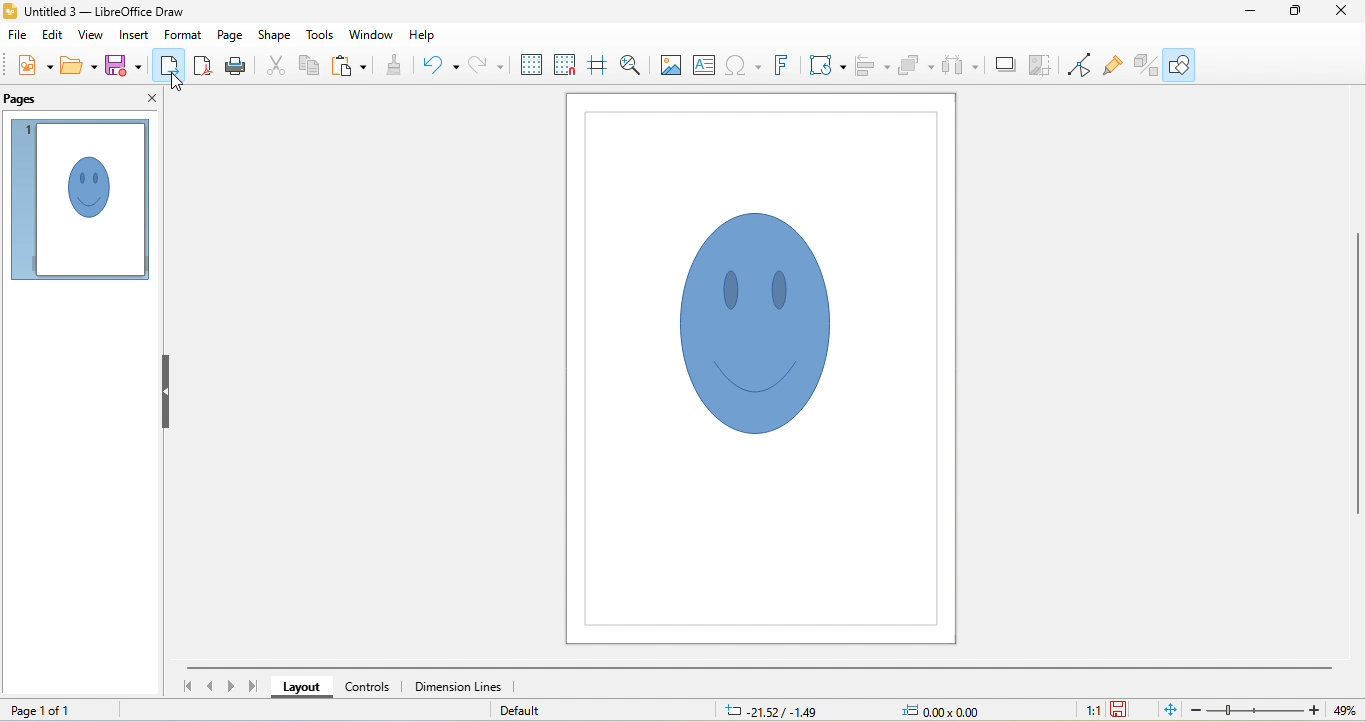  What do you see at coordinates (153, 99) in the screenshot?
I see `close` at bounding box center [153, 99].